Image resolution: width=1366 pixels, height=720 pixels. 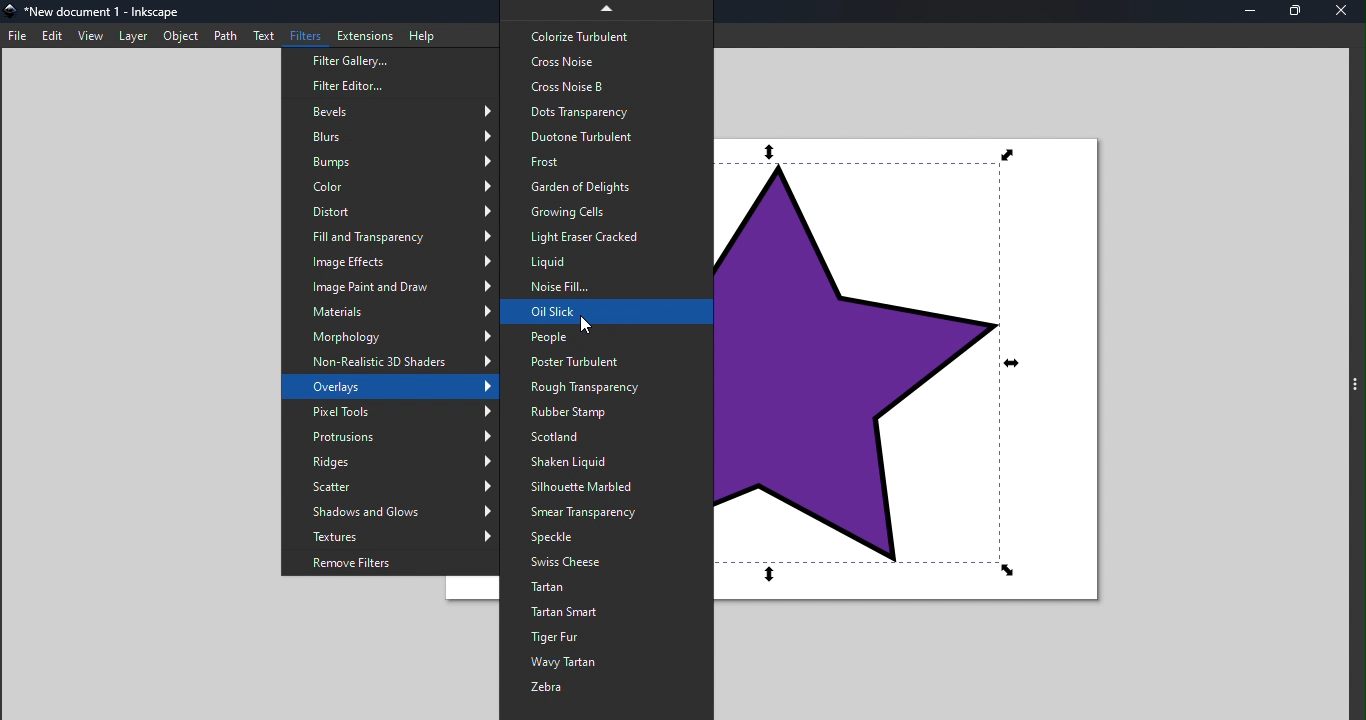 What do you see at coordinates (18, 37) in the screenshot?
I see `File` at bounding box center [18, 37].